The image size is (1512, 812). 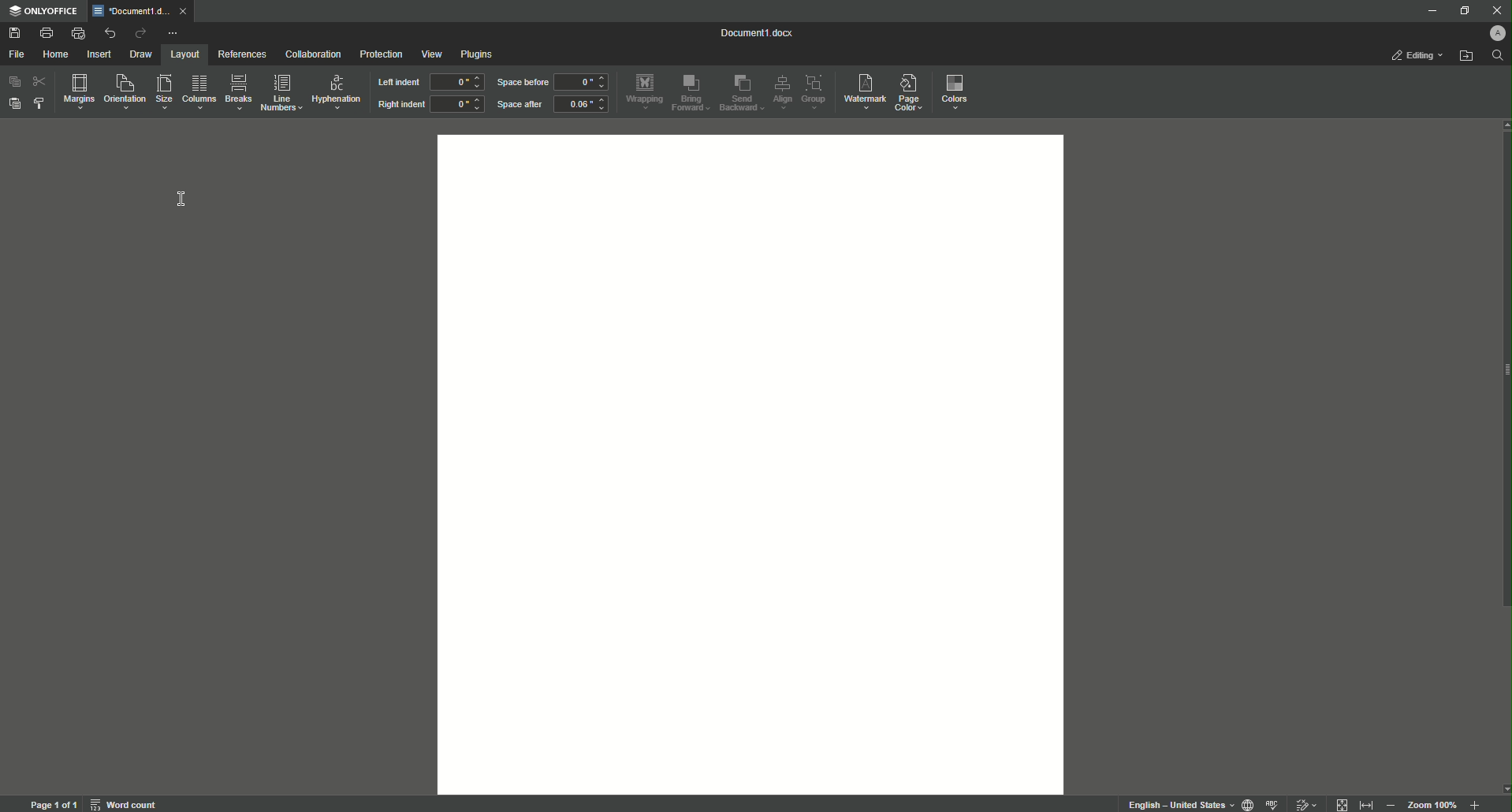 What do you see at coordinates (1343, 803) in the screenshot?
I see `Fit to Width` at bounding box center [1343, 803].